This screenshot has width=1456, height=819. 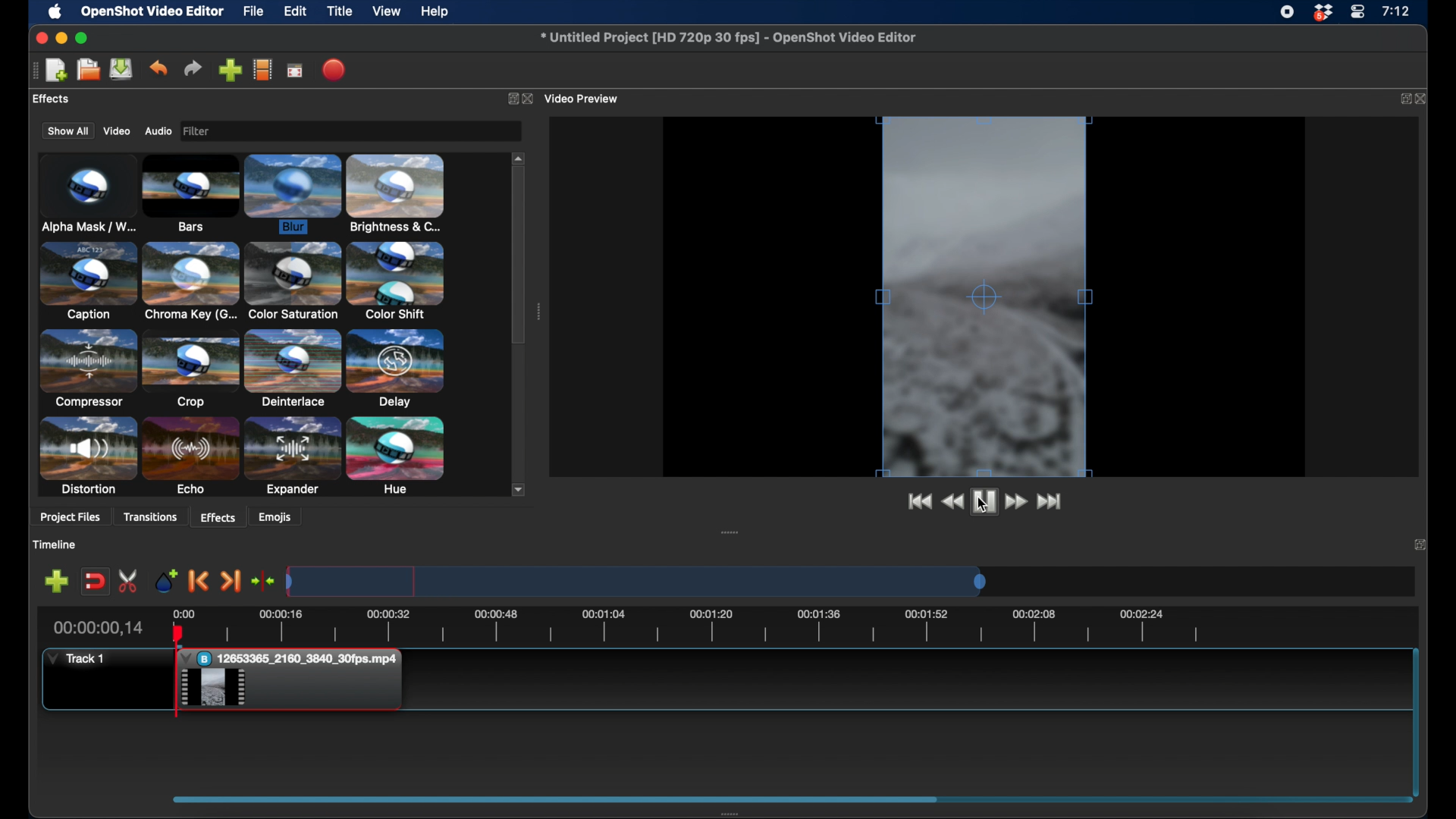 I want to click on project files, so click(x=64, y=99).